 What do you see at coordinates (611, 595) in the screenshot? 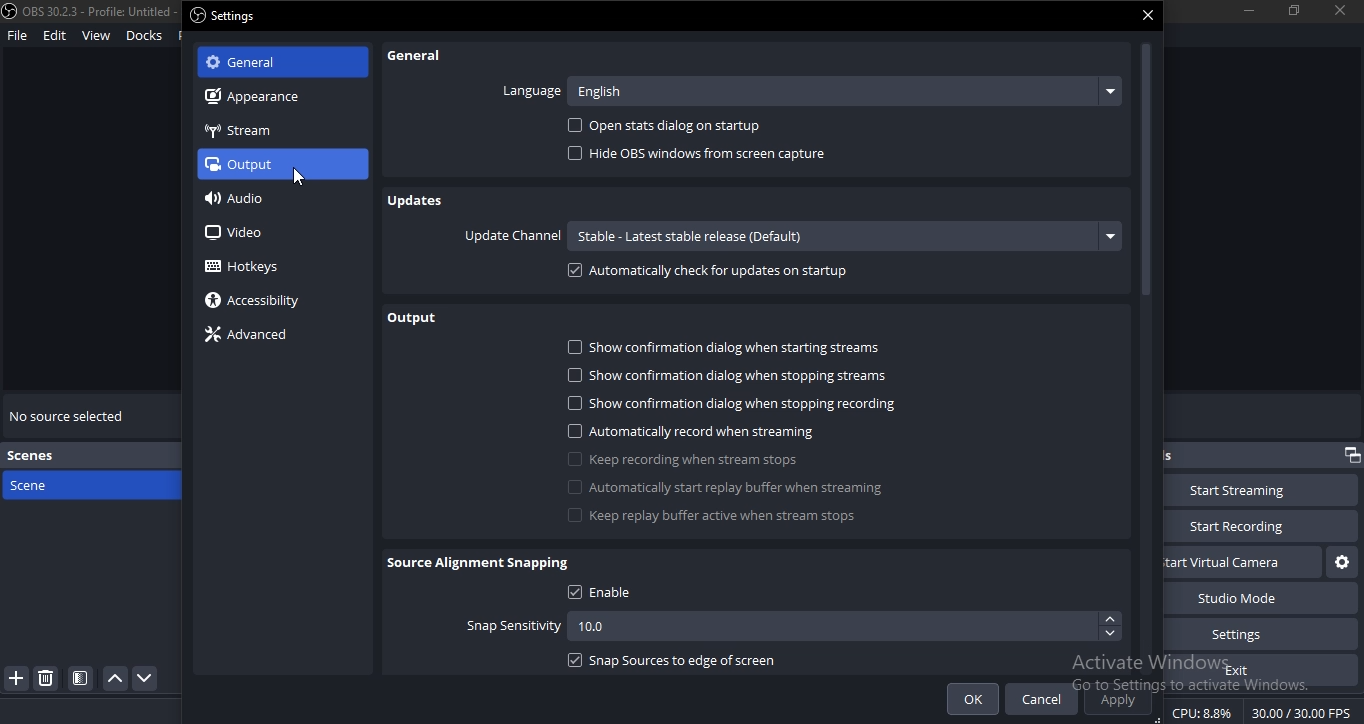
I see `enable` at bounding box center [611, 595].